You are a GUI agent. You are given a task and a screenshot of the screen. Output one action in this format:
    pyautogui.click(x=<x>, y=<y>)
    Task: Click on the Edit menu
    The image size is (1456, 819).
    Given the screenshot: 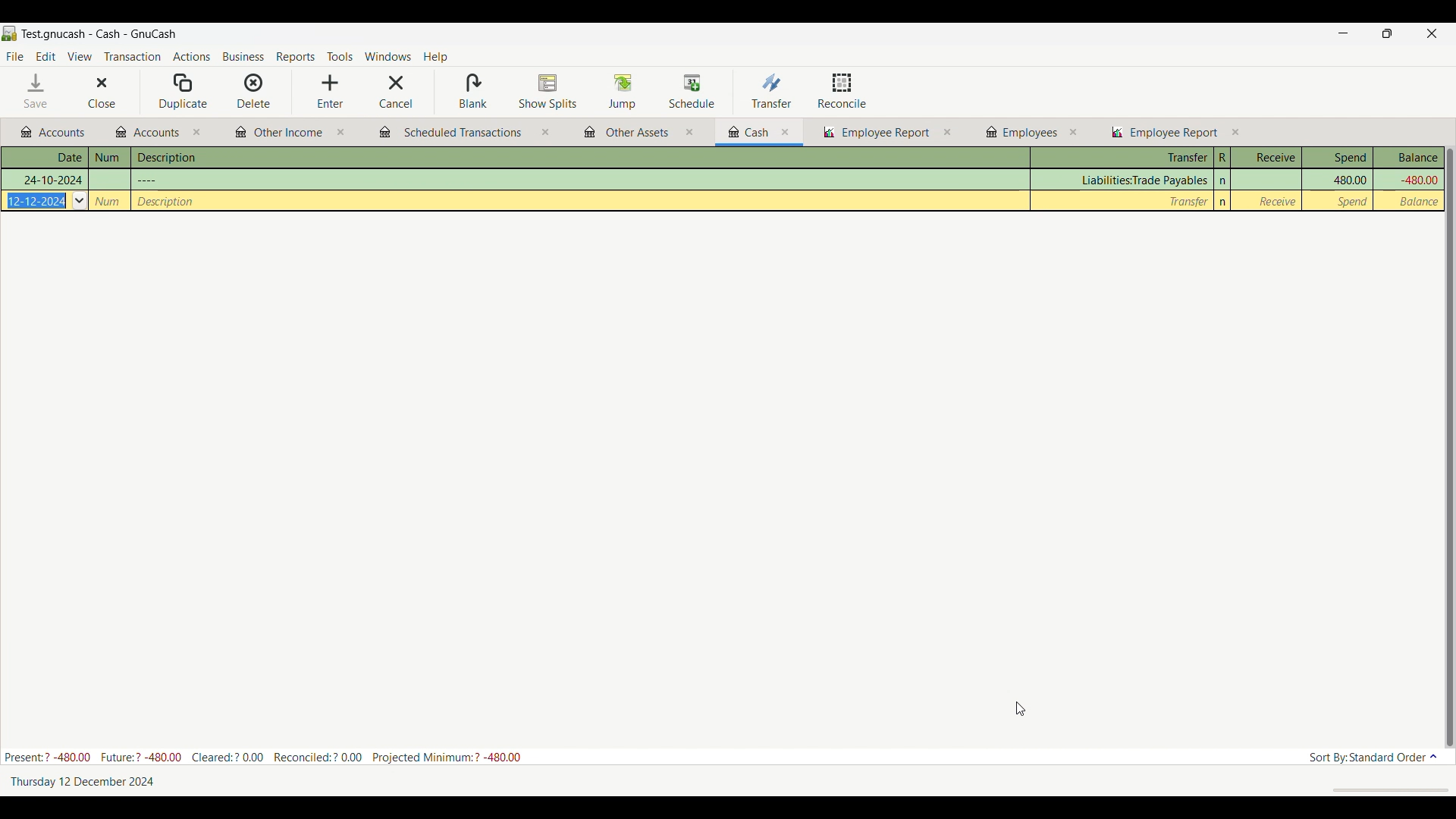 What is the action you would take?
    pyautogui.click(x=46, y=57)
    